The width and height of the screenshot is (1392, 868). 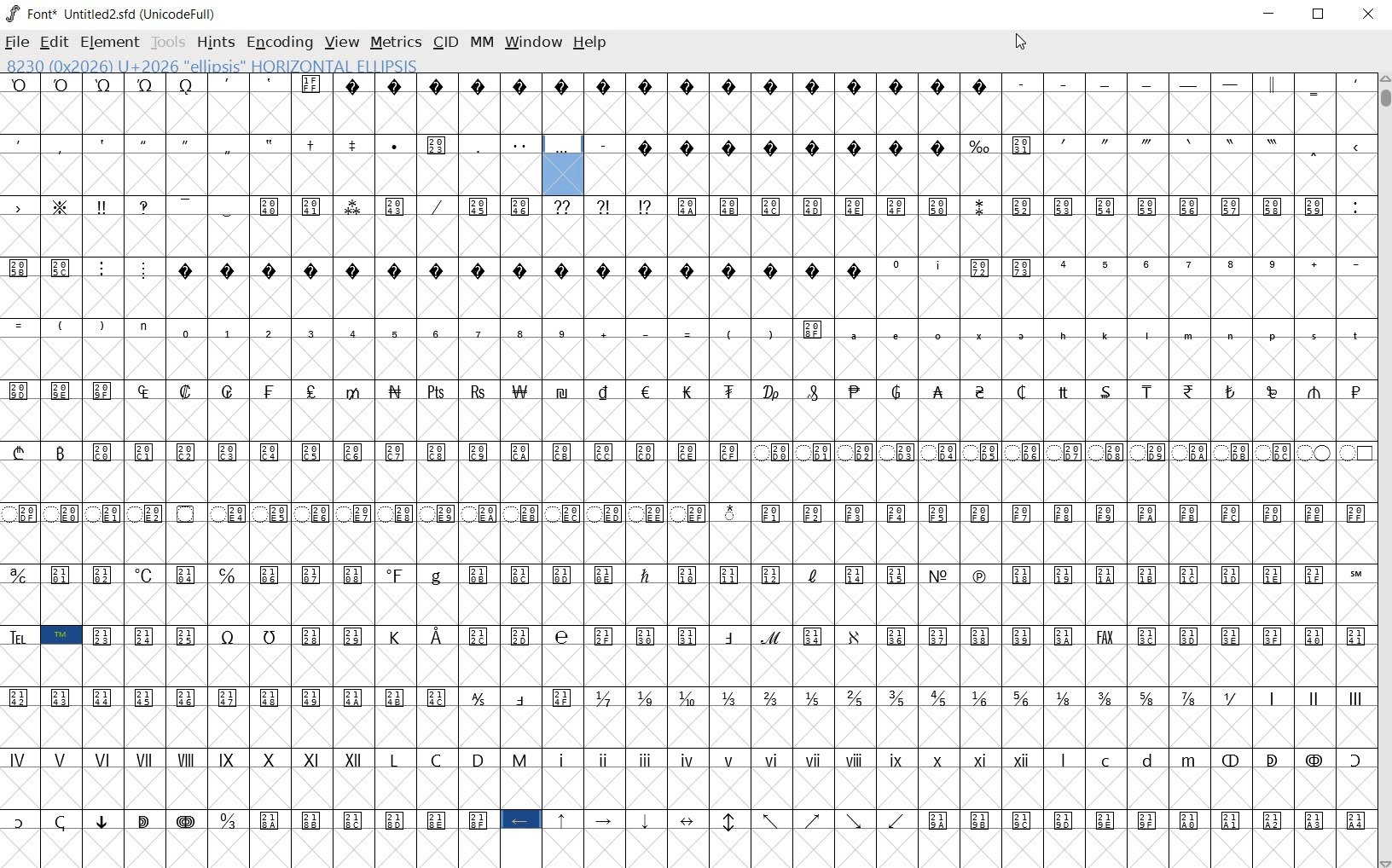 What do you see at coordinates (1019, 42) in the screenshot?
I see `CURSOR` at bounding box center [1019, 42].